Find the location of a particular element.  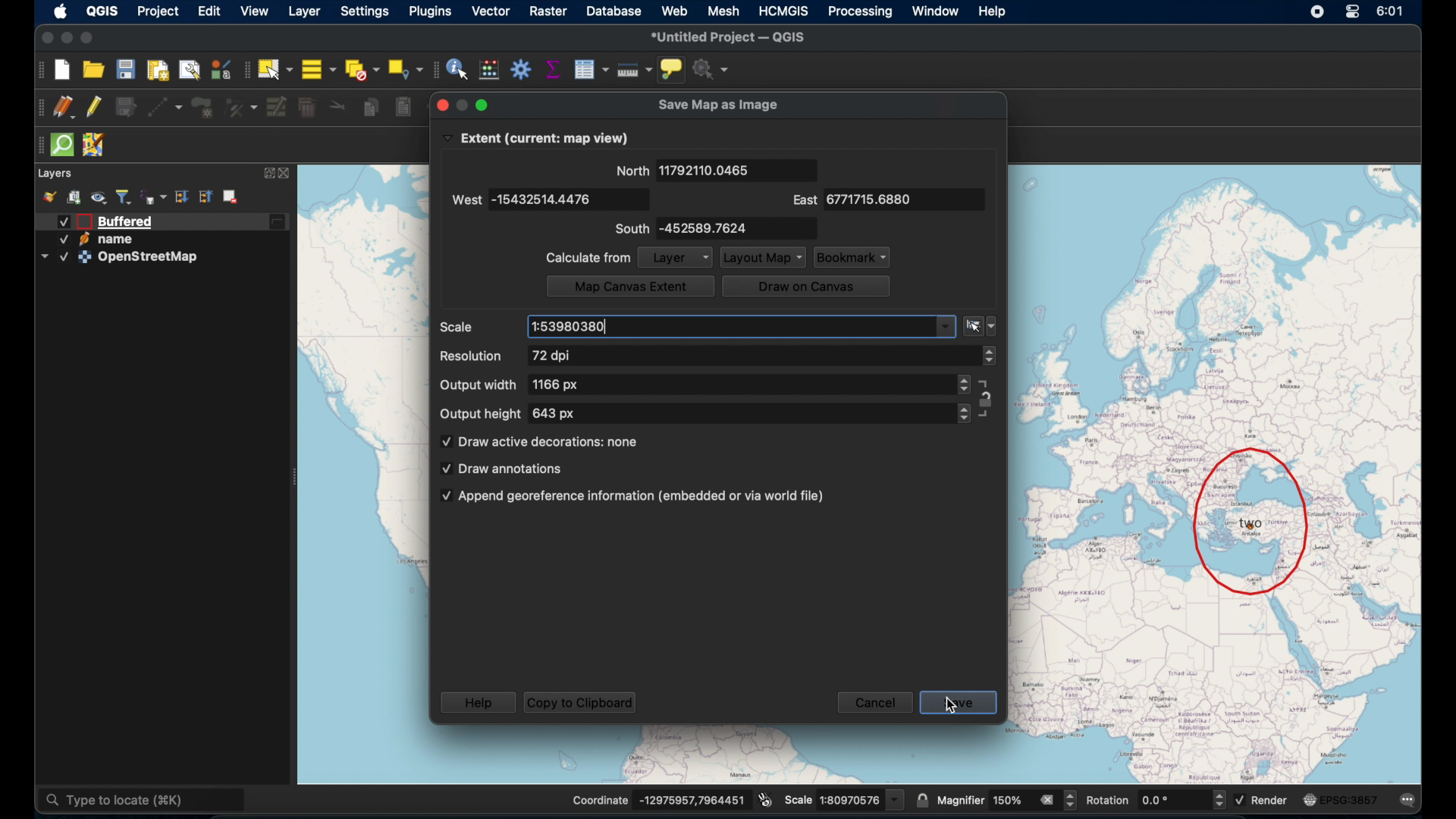

magnifier is located at coordinates (962, 800).